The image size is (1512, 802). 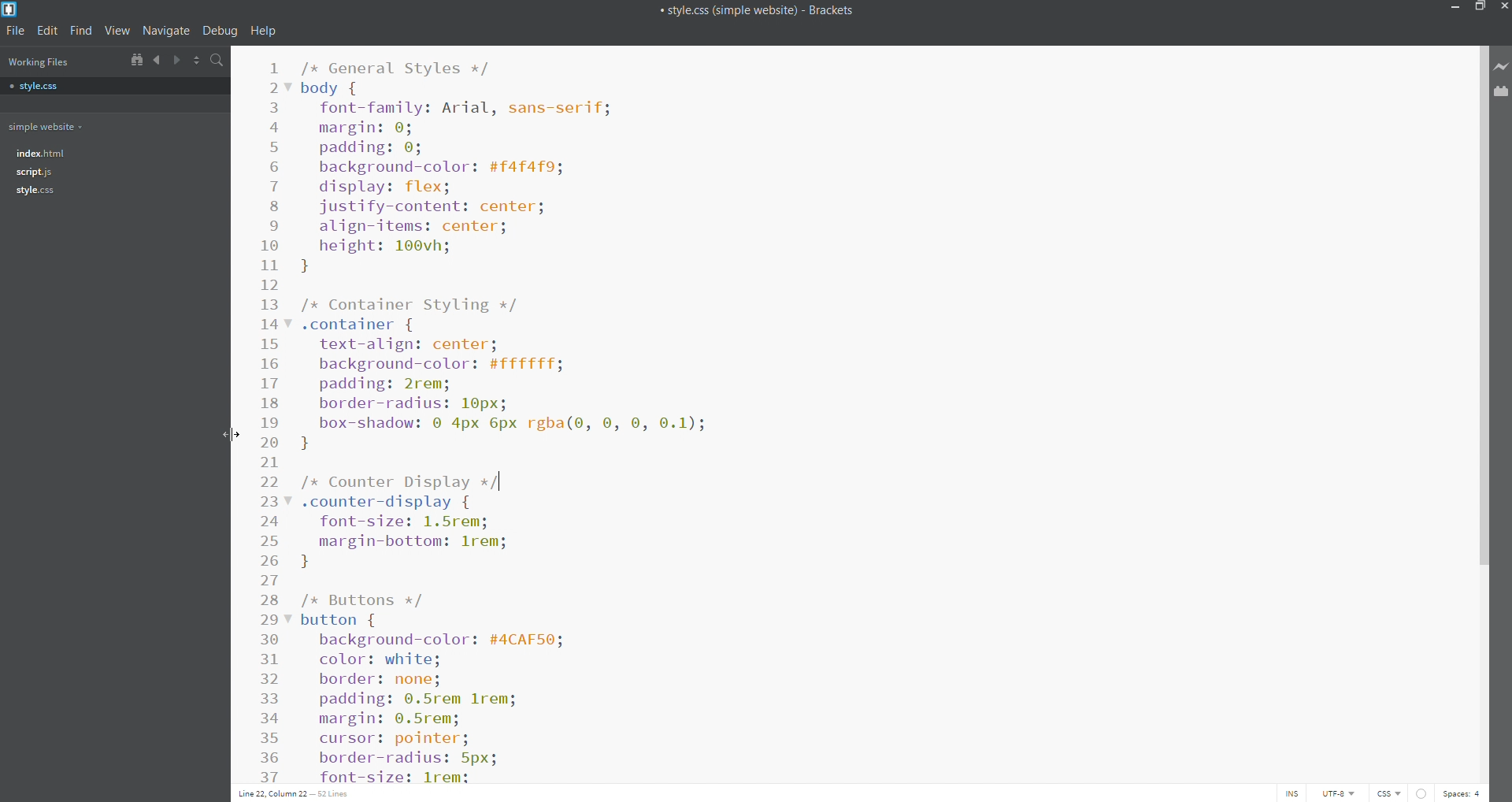 What do you see at coordinates (117, 32) in the screenshot?
I see `view` at bounding box center [117, 32].